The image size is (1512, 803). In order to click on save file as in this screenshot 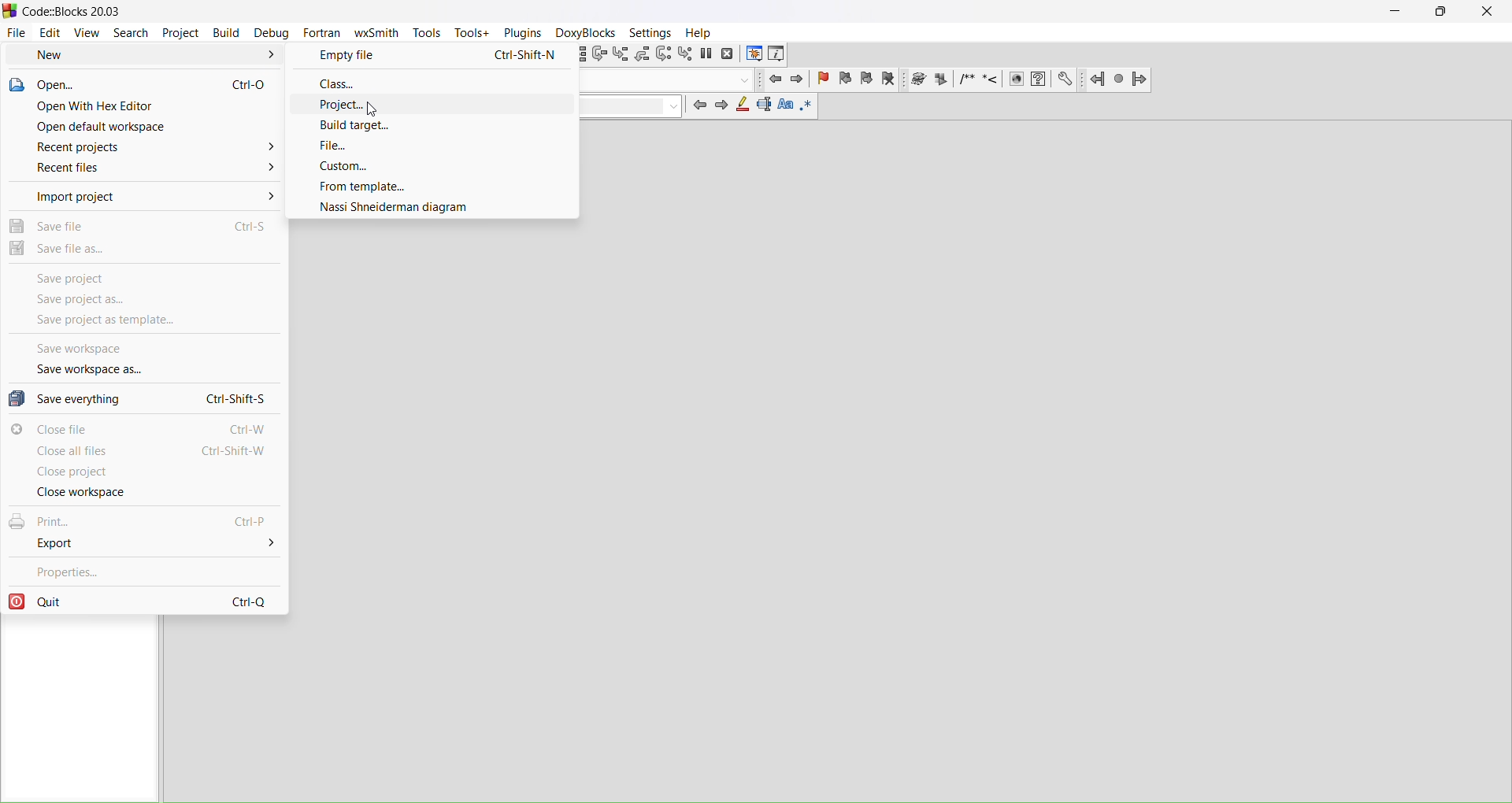, I will do `click(146, 250)`.